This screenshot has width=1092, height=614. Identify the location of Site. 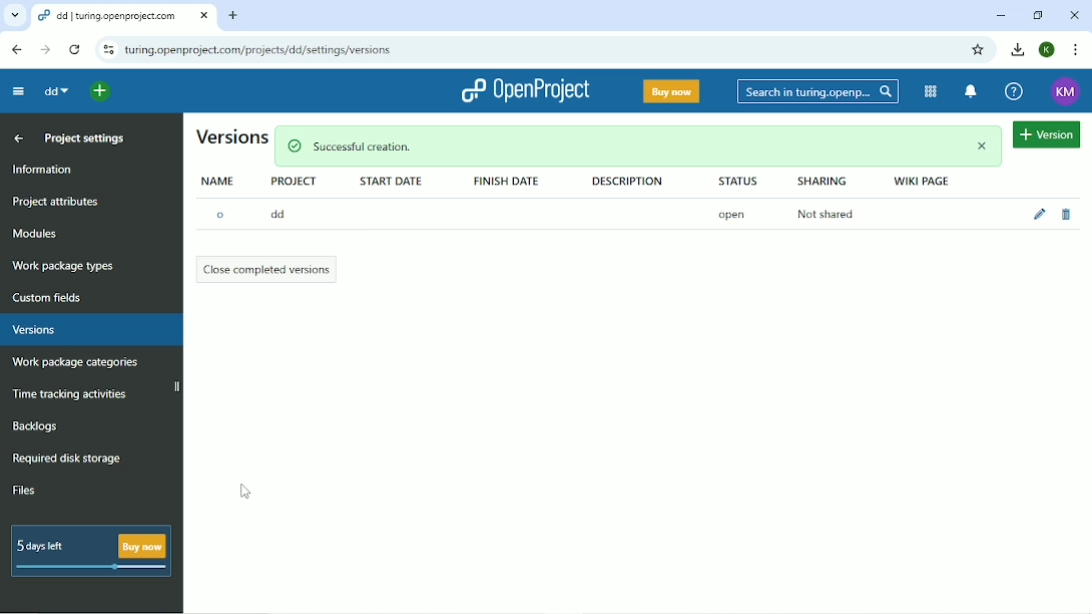
(259, 50).